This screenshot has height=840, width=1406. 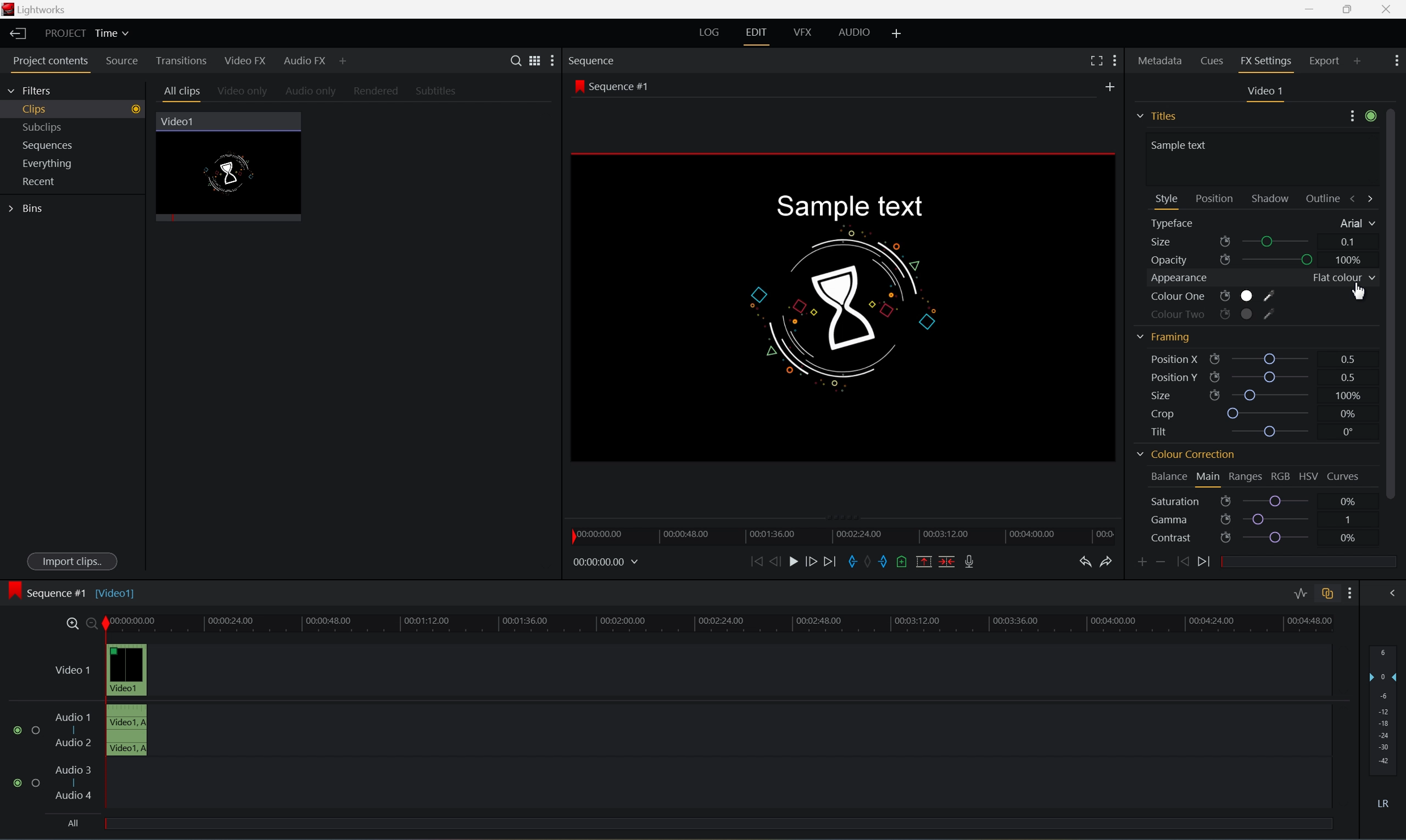 What do you see at coordinates (1348, 500) in the screenshot?
I see `0%` at bounding box center [1348, 500].